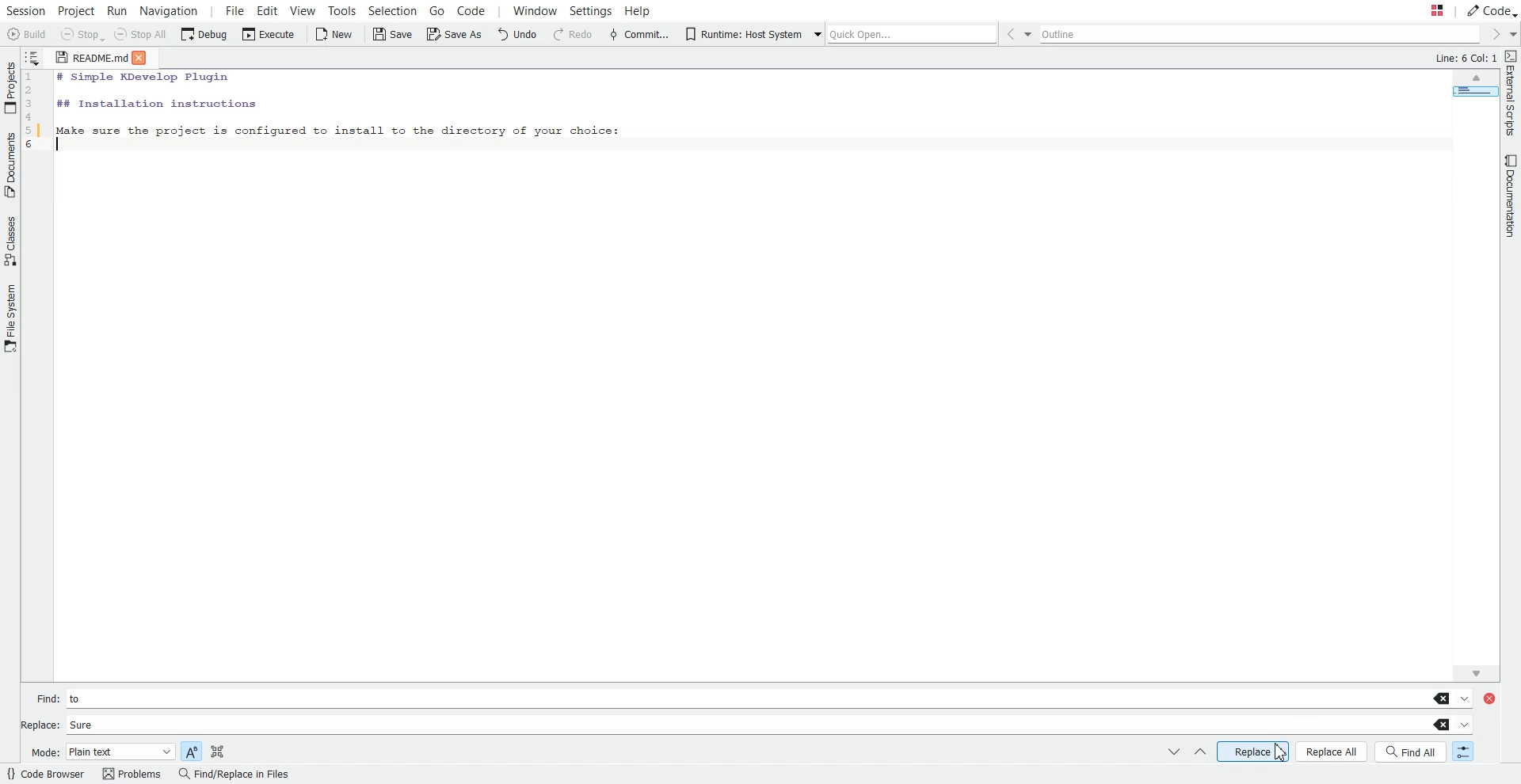 This screenshot has height=784, width=1521. What do you see at coordinates (27, 34) in the screenshot?
I see `Build` at bounding box center [27, 34].